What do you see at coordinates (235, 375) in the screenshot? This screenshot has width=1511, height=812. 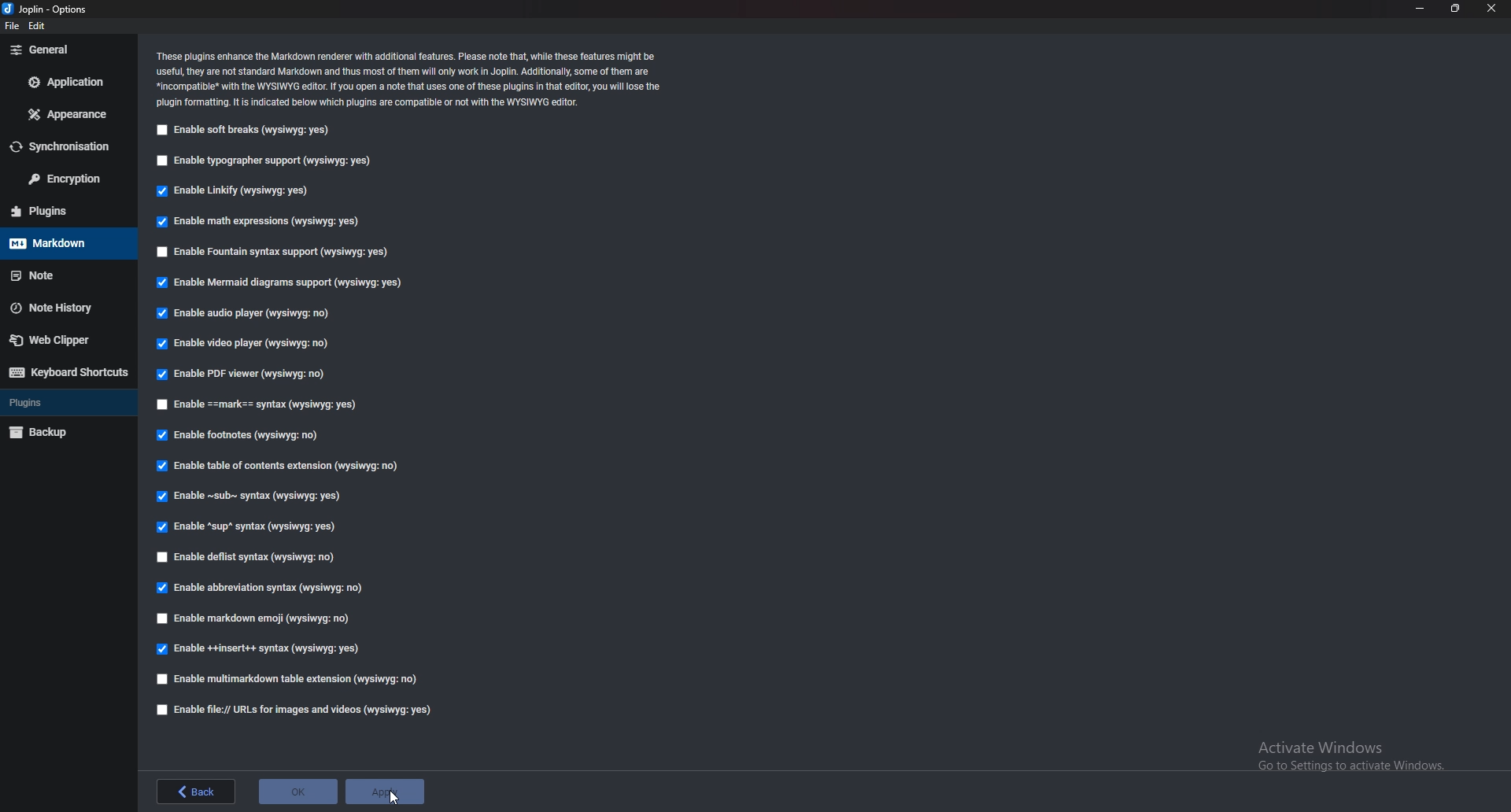 I see `Enable P D F viewer` at bounding box center [235, 375].